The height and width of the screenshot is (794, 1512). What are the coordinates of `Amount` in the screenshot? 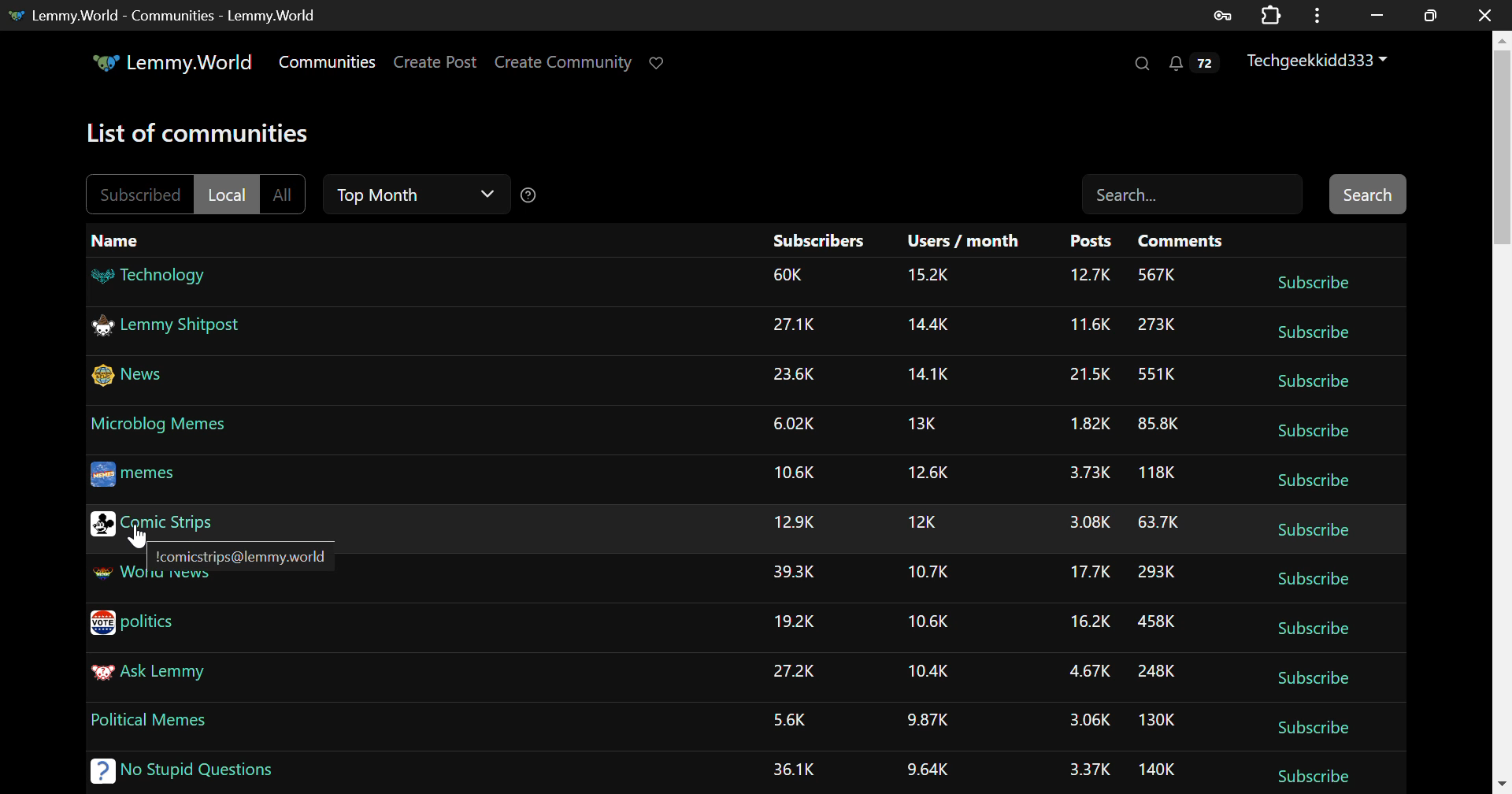 It's located at (1081, 425).